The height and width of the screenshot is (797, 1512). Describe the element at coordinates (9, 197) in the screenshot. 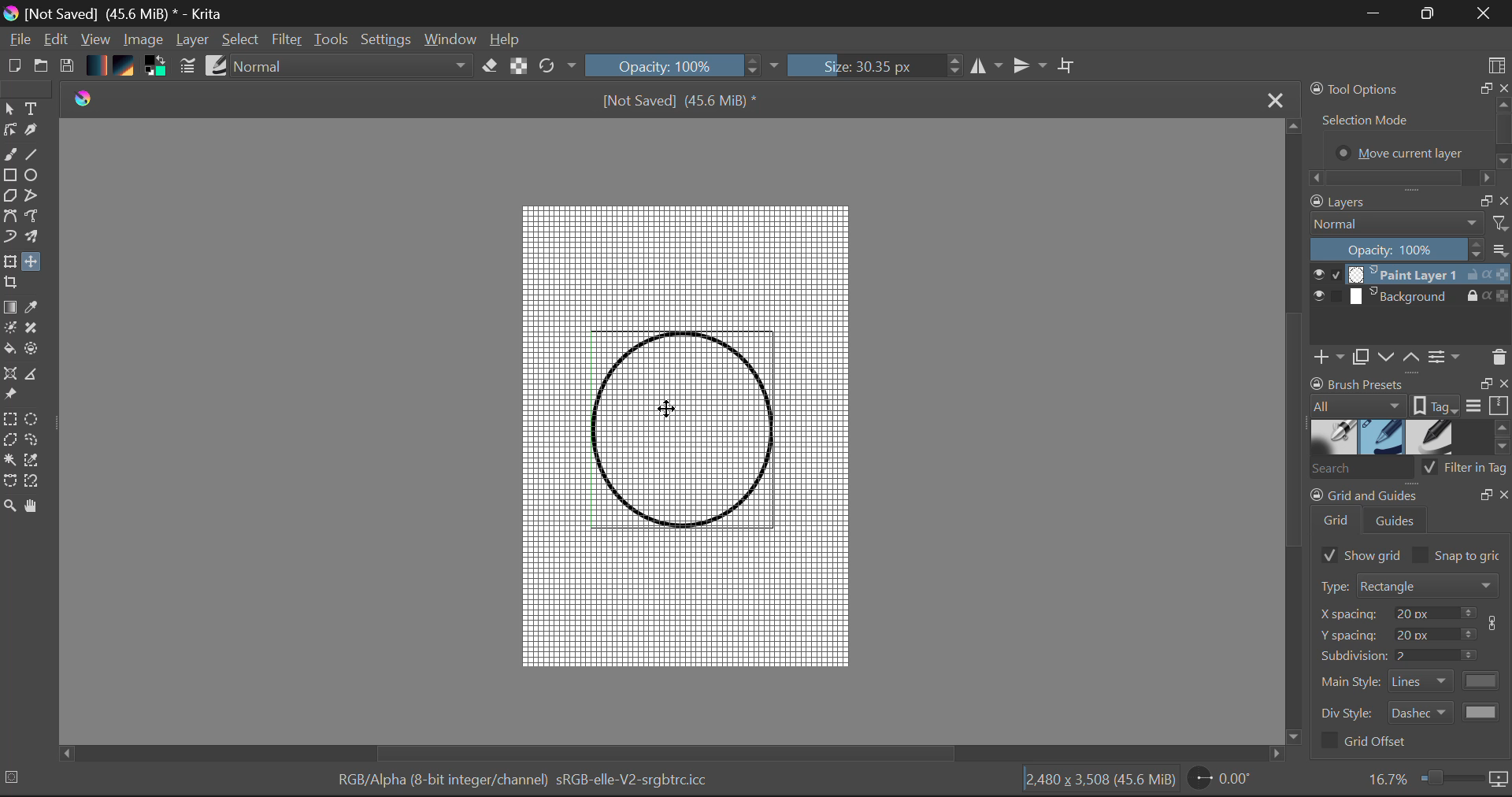

I see `Polygon` at that location.